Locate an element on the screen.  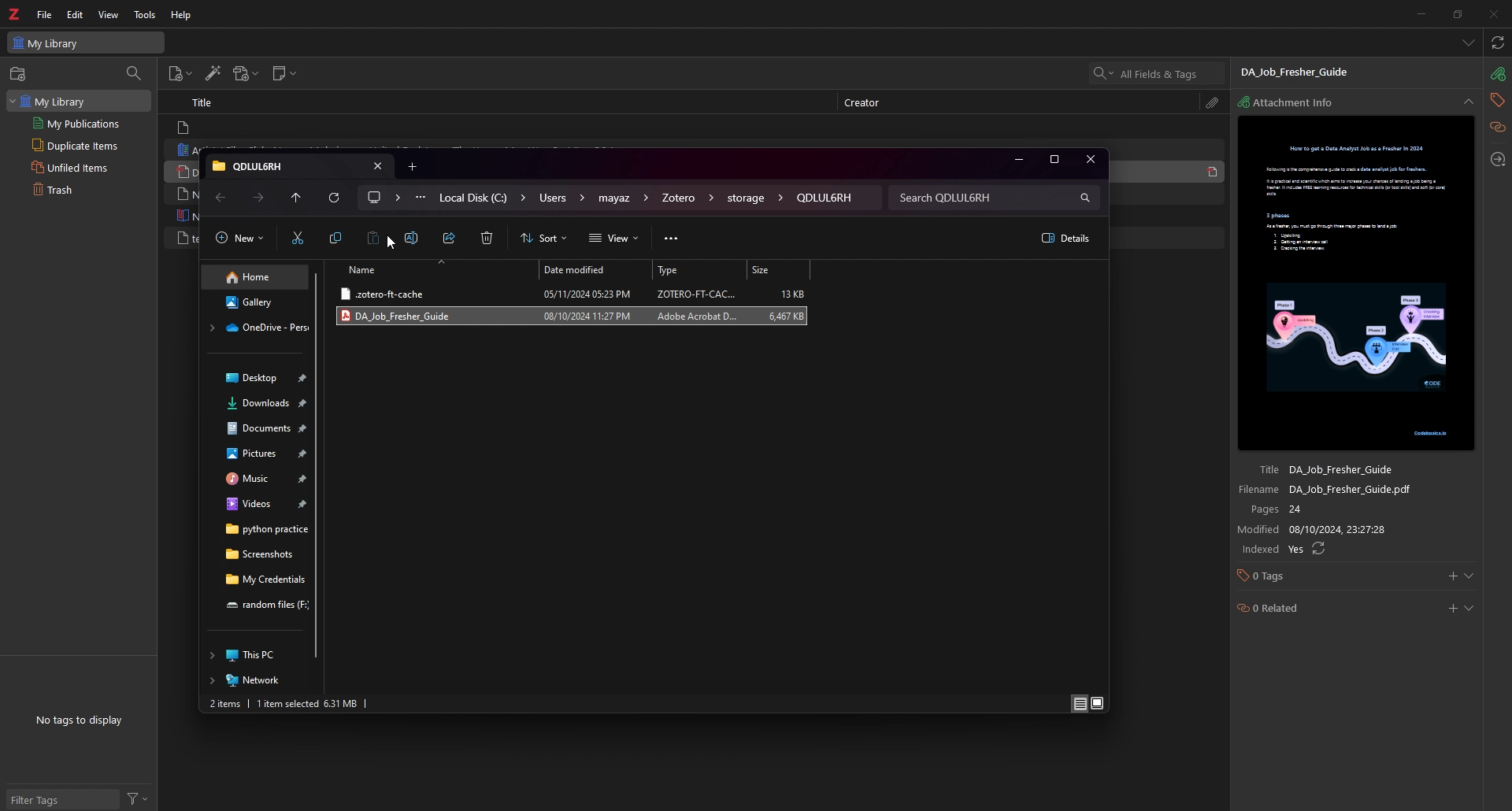
date modified is located at coordinates (595, 270).